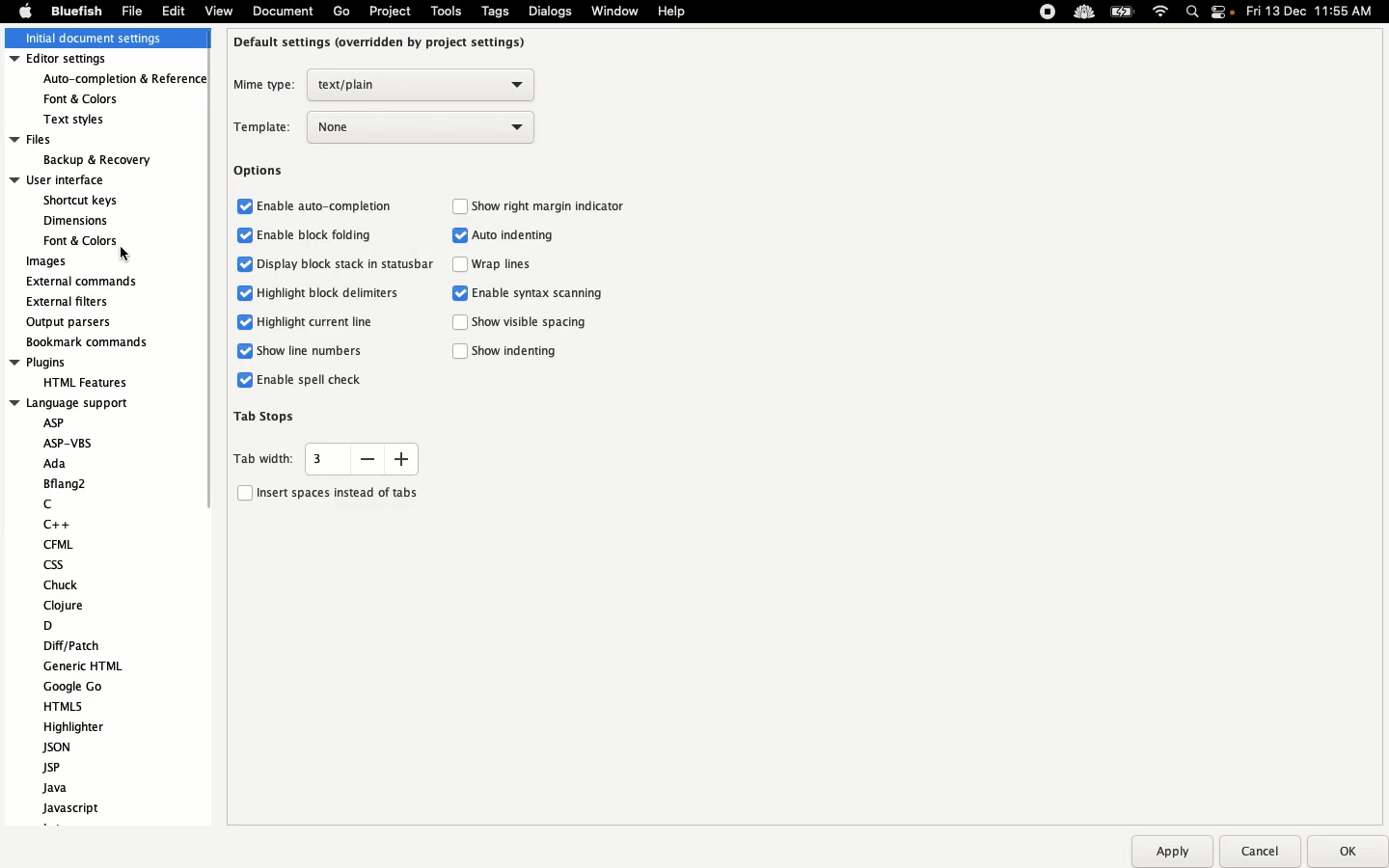 This screenshot has width=1389, height=868. Describe the element at coordinates (281, 13) in the screenshot. I see `document` at that location.